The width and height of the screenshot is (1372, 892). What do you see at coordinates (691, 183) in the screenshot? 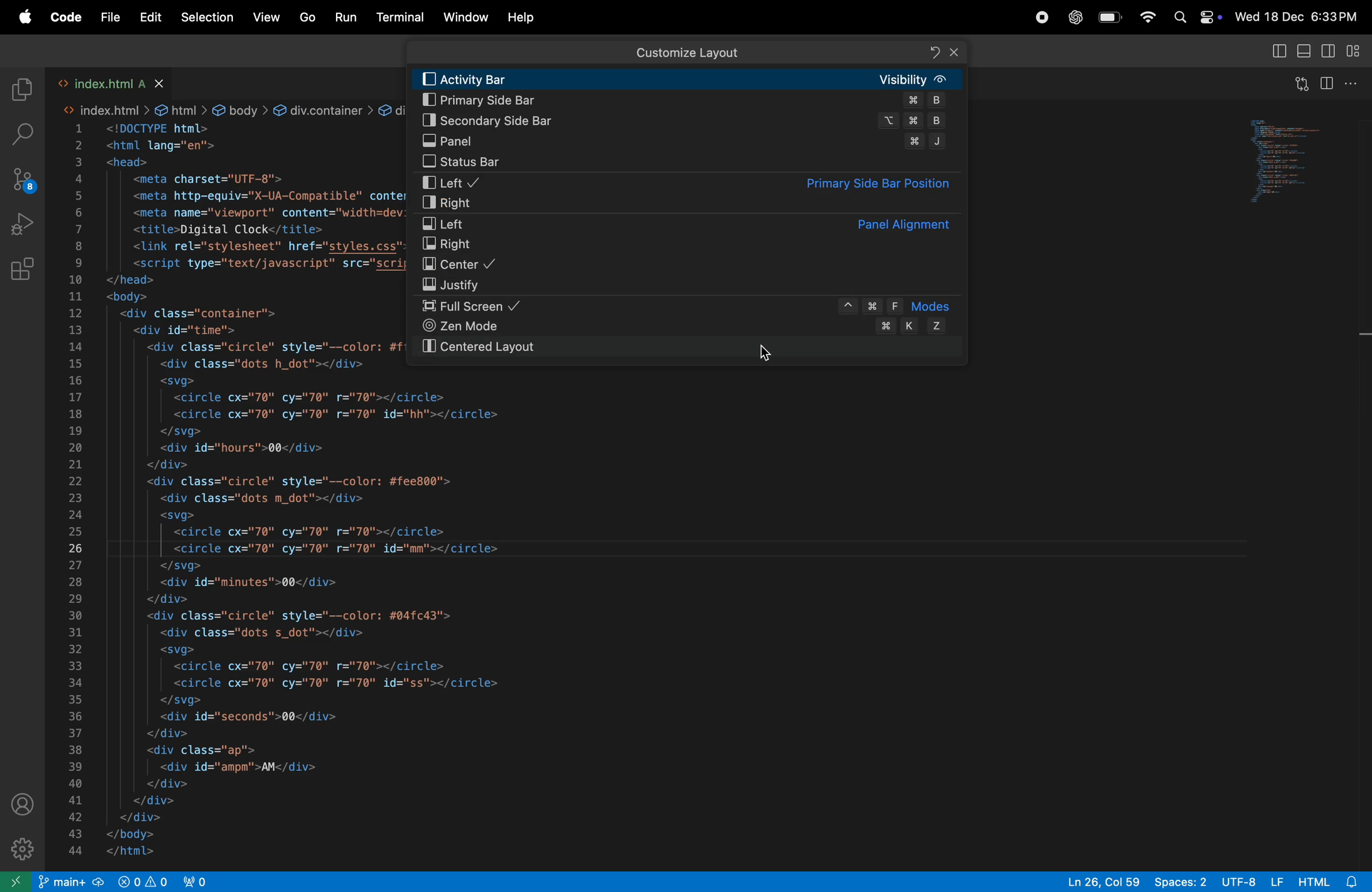
I see `left` at bounding box center [691, 183].